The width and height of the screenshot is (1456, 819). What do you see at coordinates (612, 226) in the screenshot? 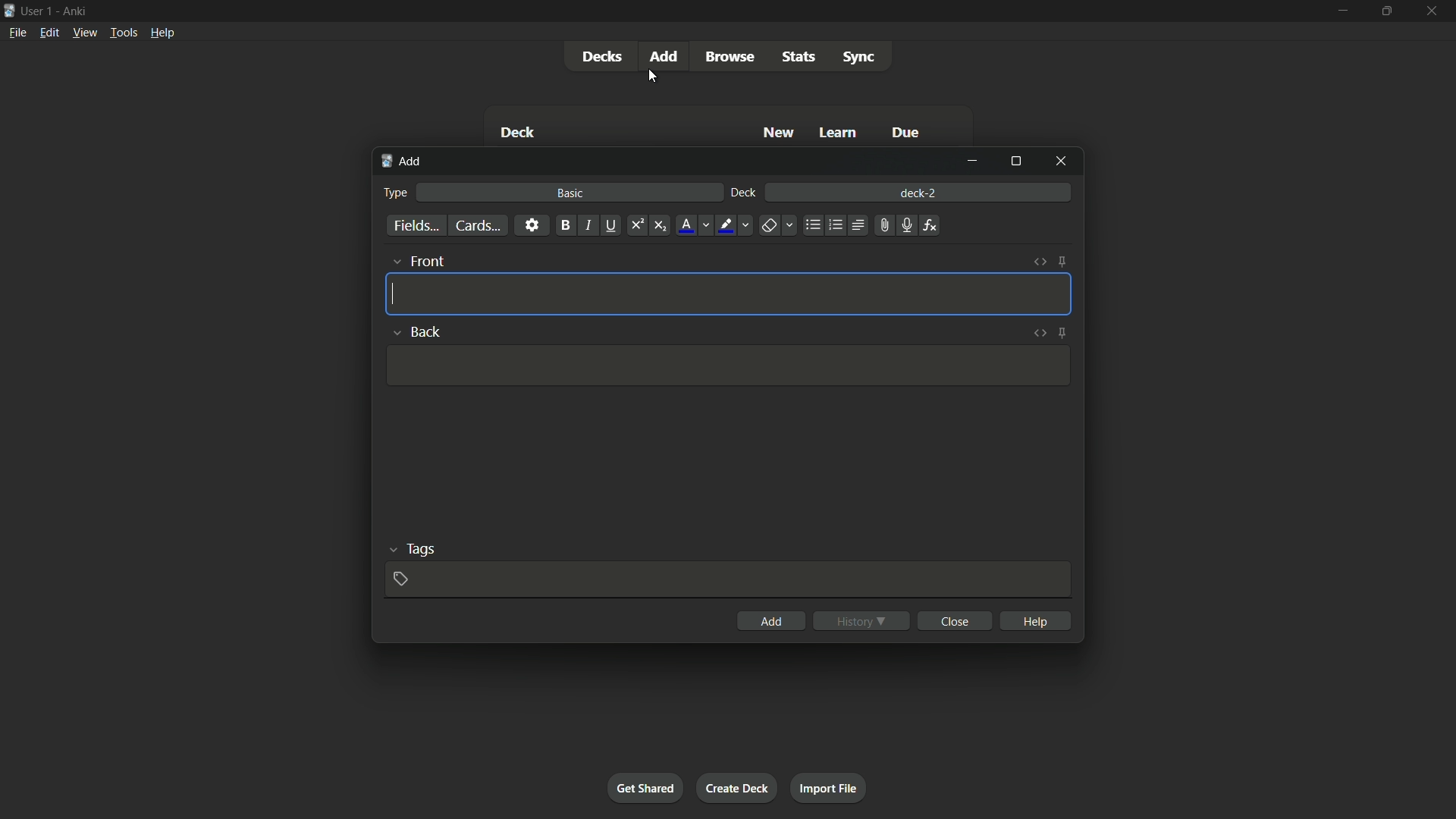
I see `underline` at bounding box center [612, 226].